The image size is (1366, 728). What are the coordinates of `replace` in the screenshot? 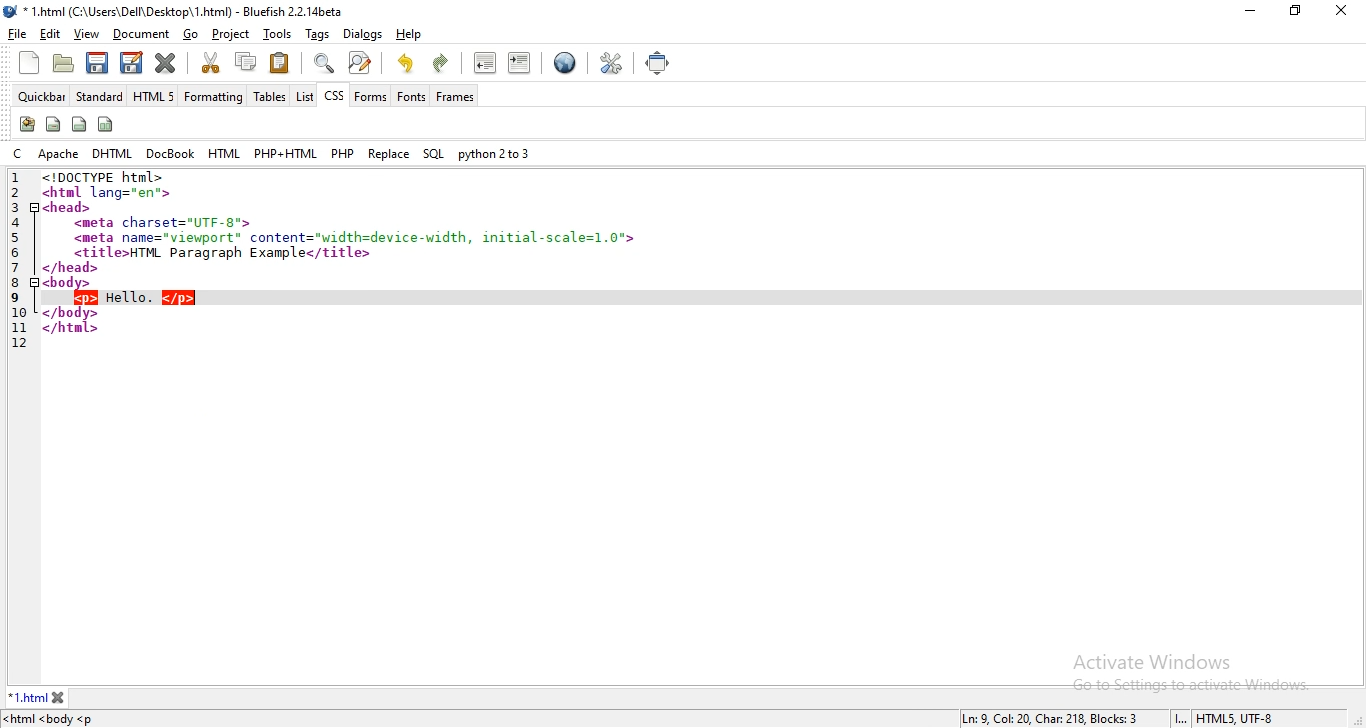 It's located at (389, 153).